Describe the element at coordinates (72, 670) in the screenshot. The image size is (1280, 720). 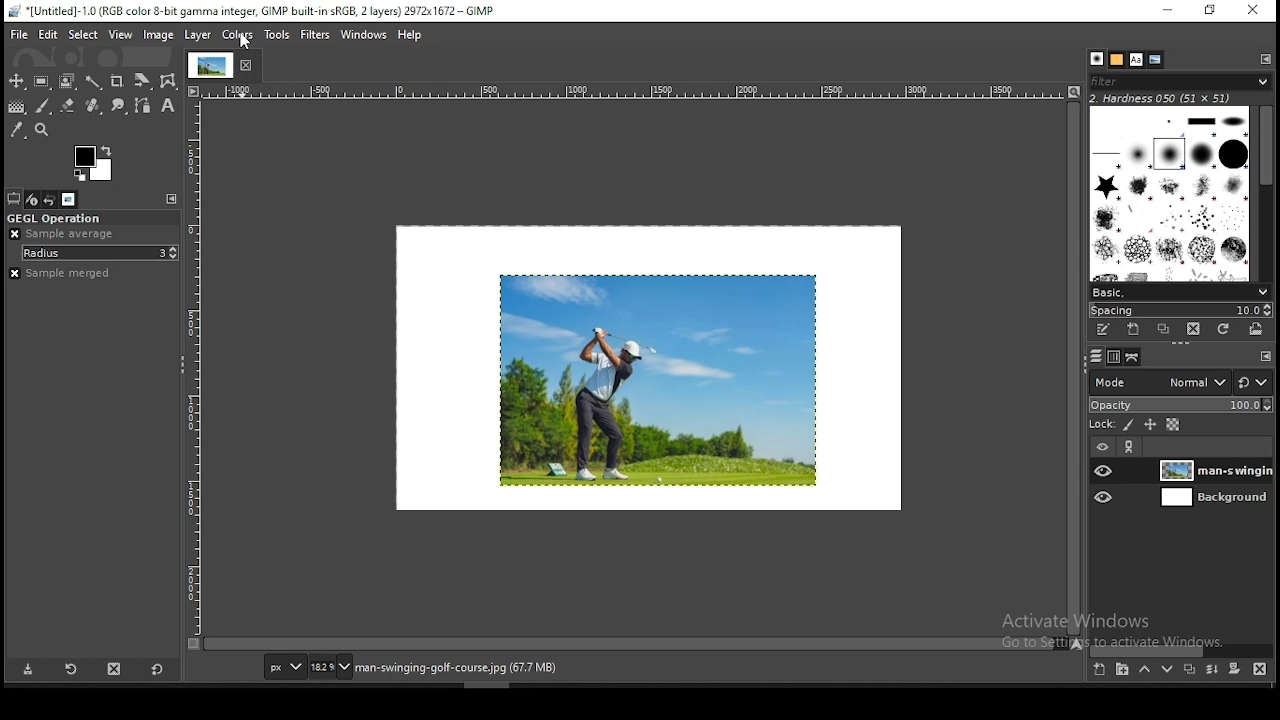
I see `restore tool preset` at that location.